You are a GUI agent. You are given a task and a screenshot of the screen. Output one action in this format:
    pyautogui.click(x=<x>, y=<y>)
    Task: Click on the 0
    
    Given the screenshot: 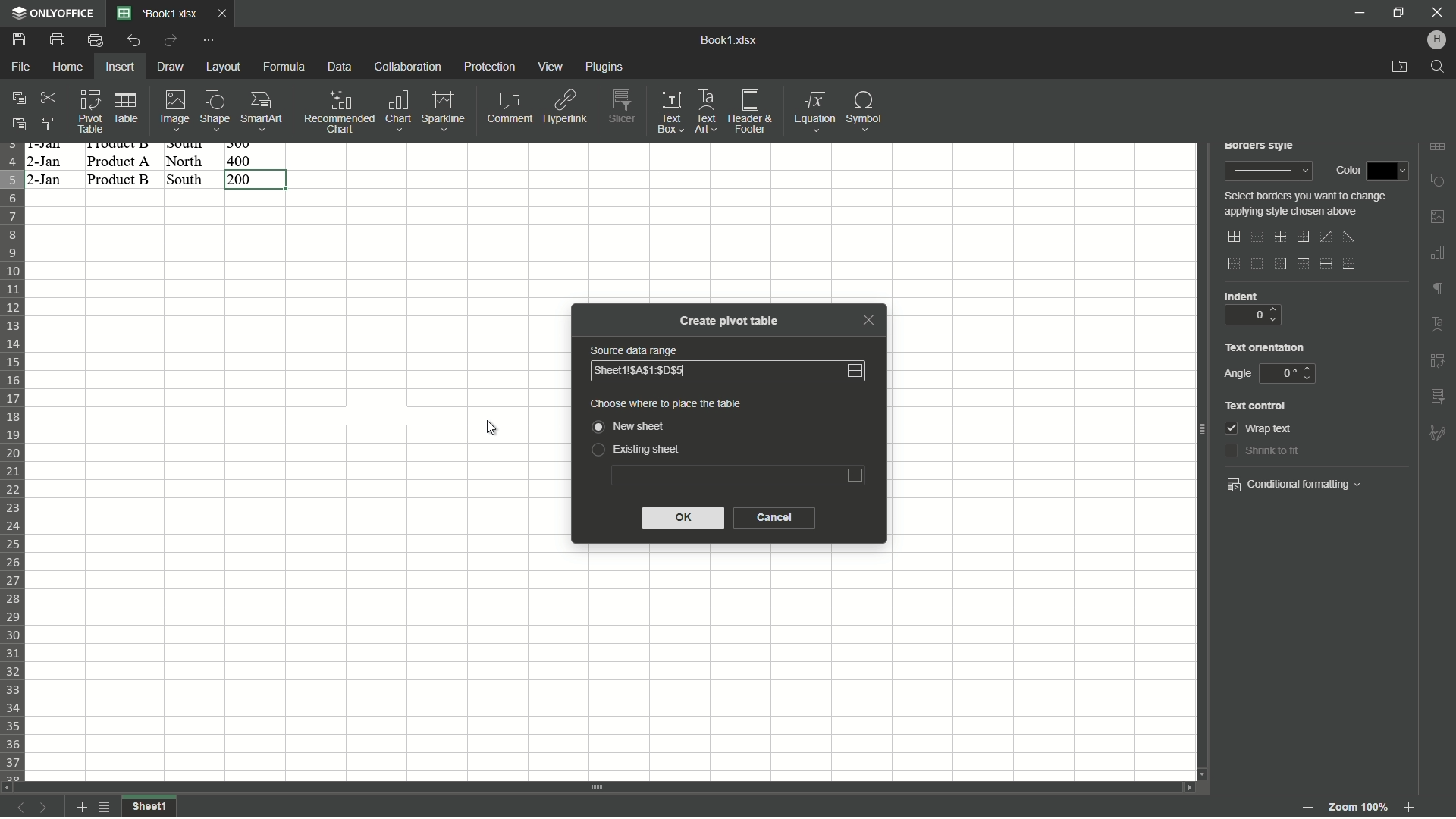 What is the action you would take?
    pyautogui.click(x=1257, y=315)
    